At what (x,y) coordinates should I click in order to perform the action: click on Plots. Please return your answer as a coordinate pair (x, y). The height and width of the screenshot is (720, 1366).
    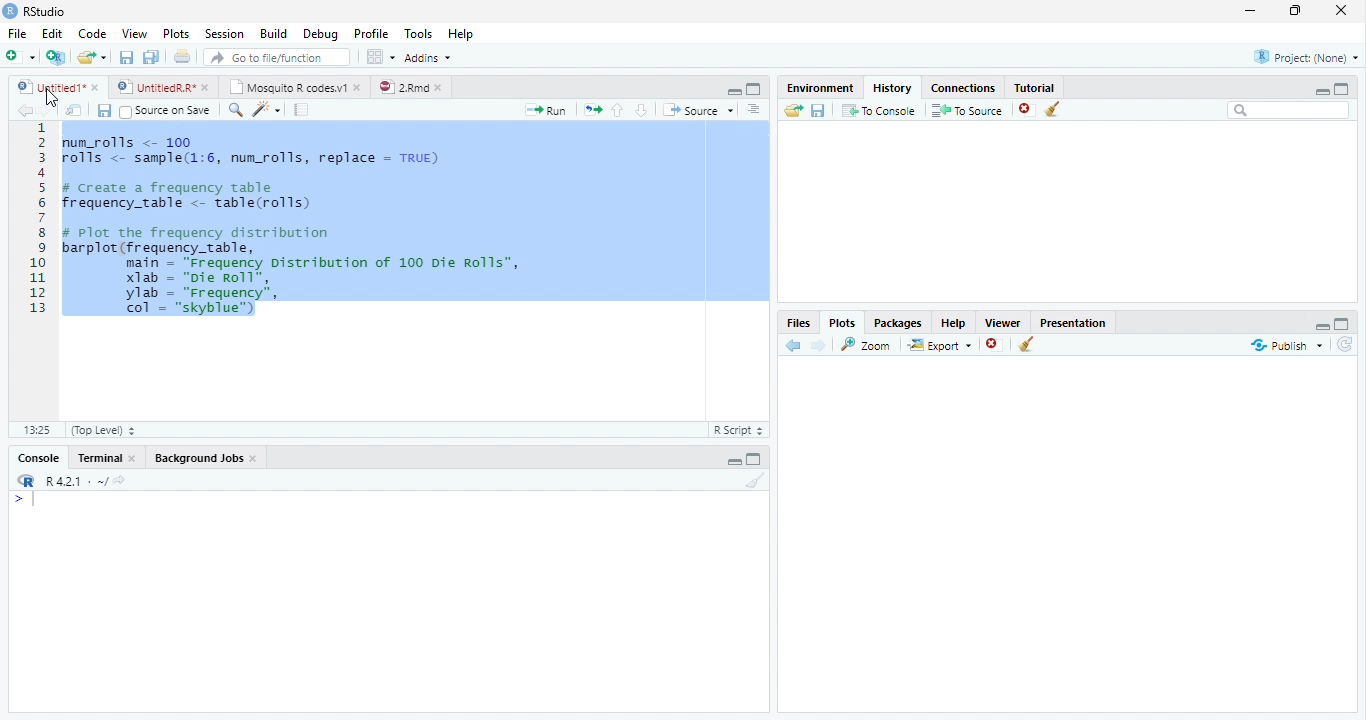
    Looking at the image, I should click on (177, 32).